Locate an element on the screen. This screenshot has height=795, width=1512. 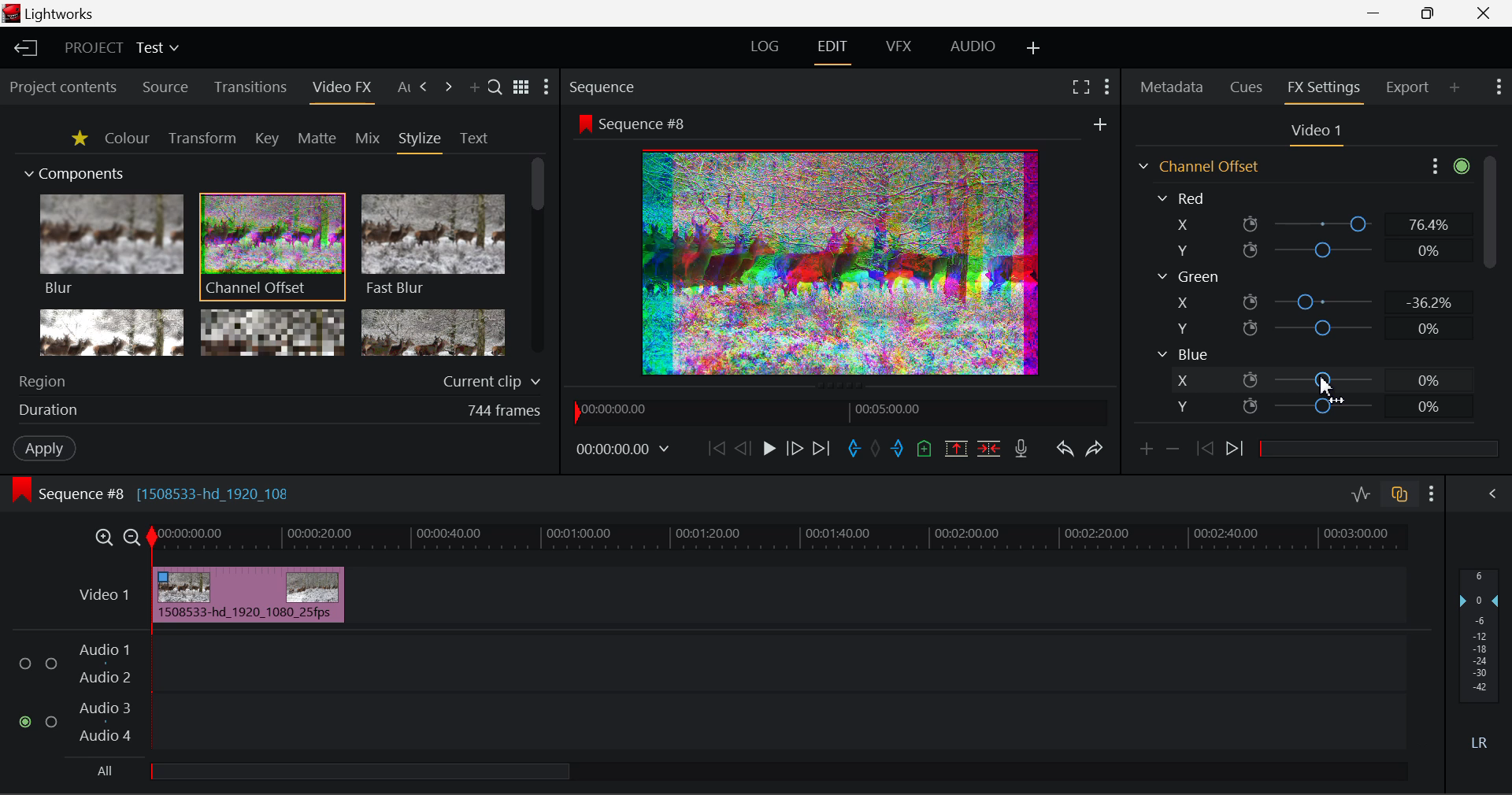
Delete/Cut is located at coordinates (991, 449).